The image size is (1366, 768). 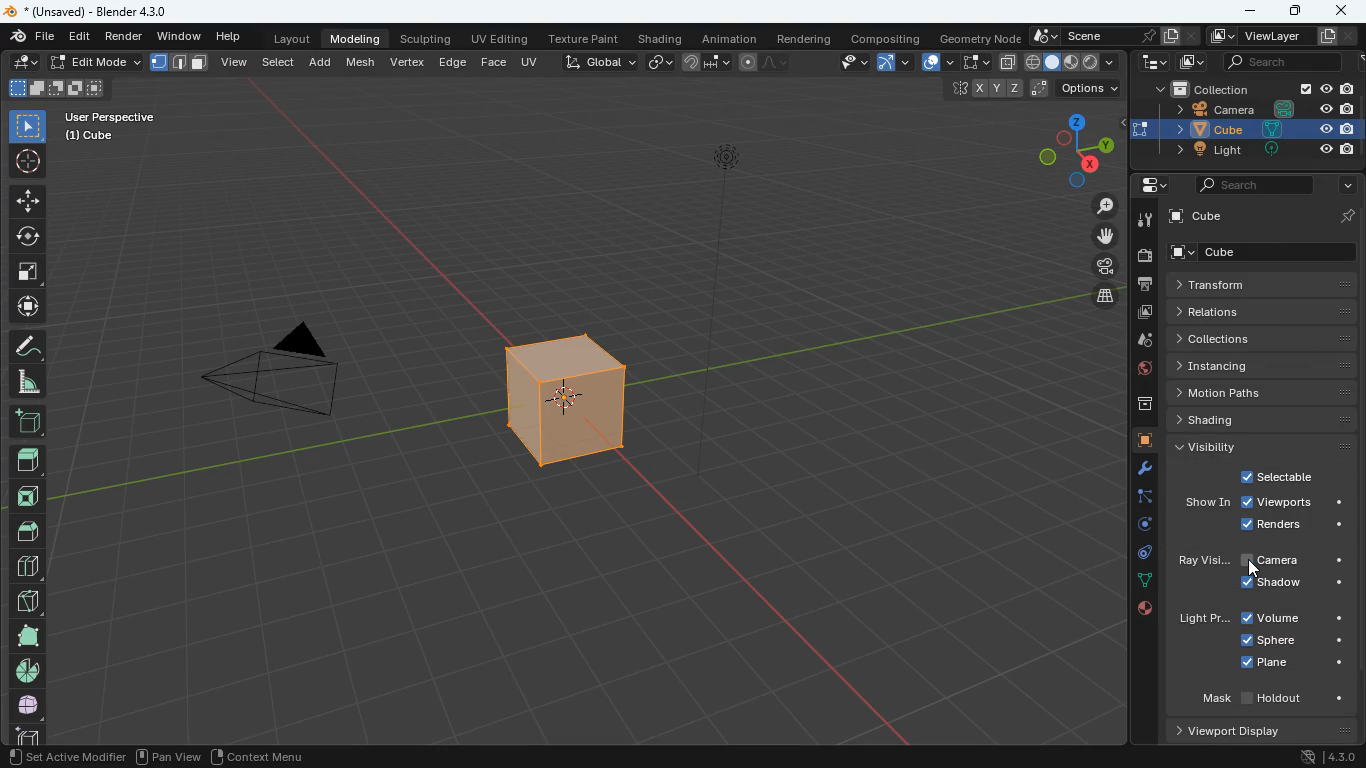 What do you see at coordinates (1262, 109) in the screenshot?
I see `camera` at bounding box center [1262, 109].